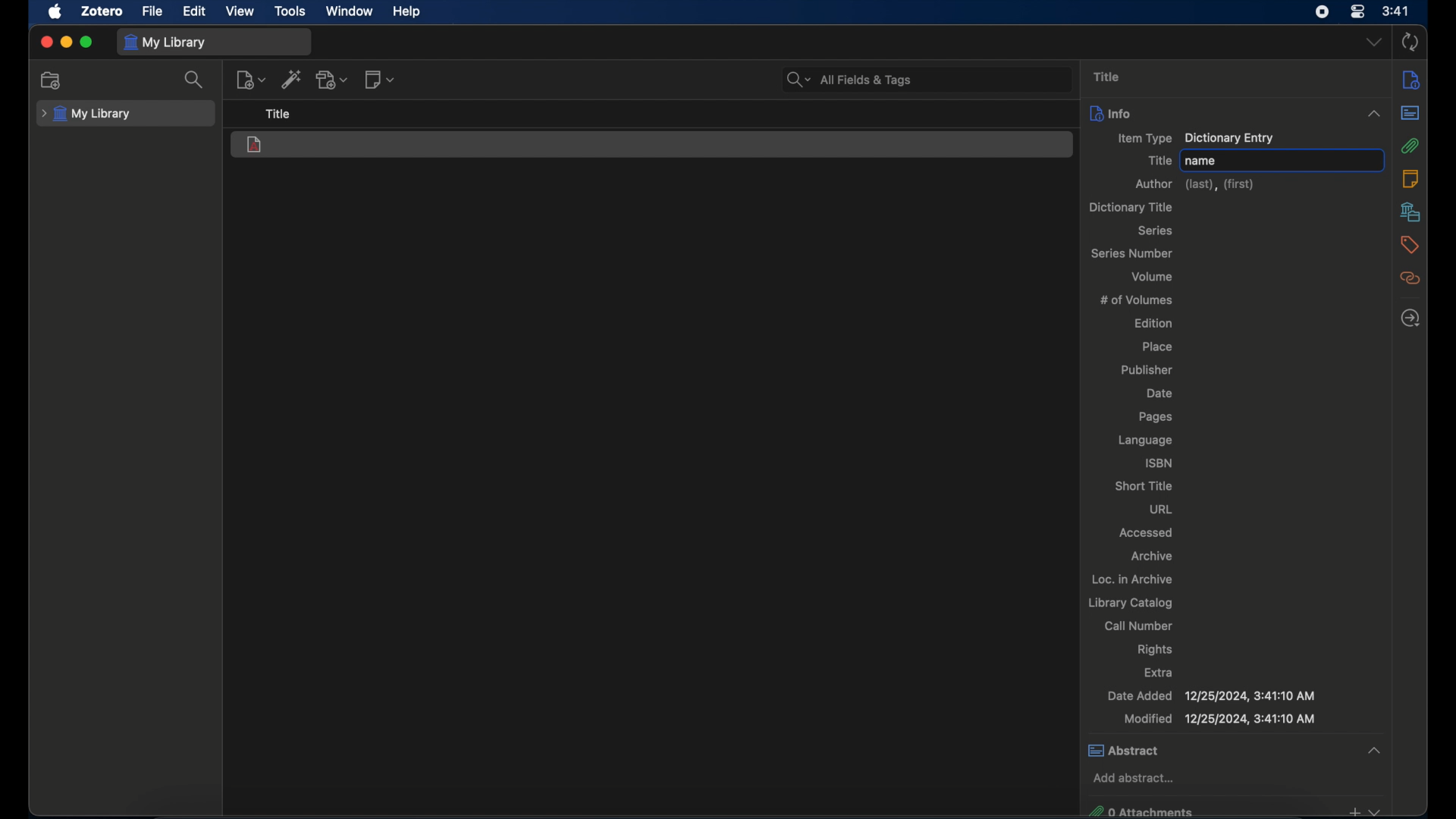  I want to click on info, so click(1110, 112).